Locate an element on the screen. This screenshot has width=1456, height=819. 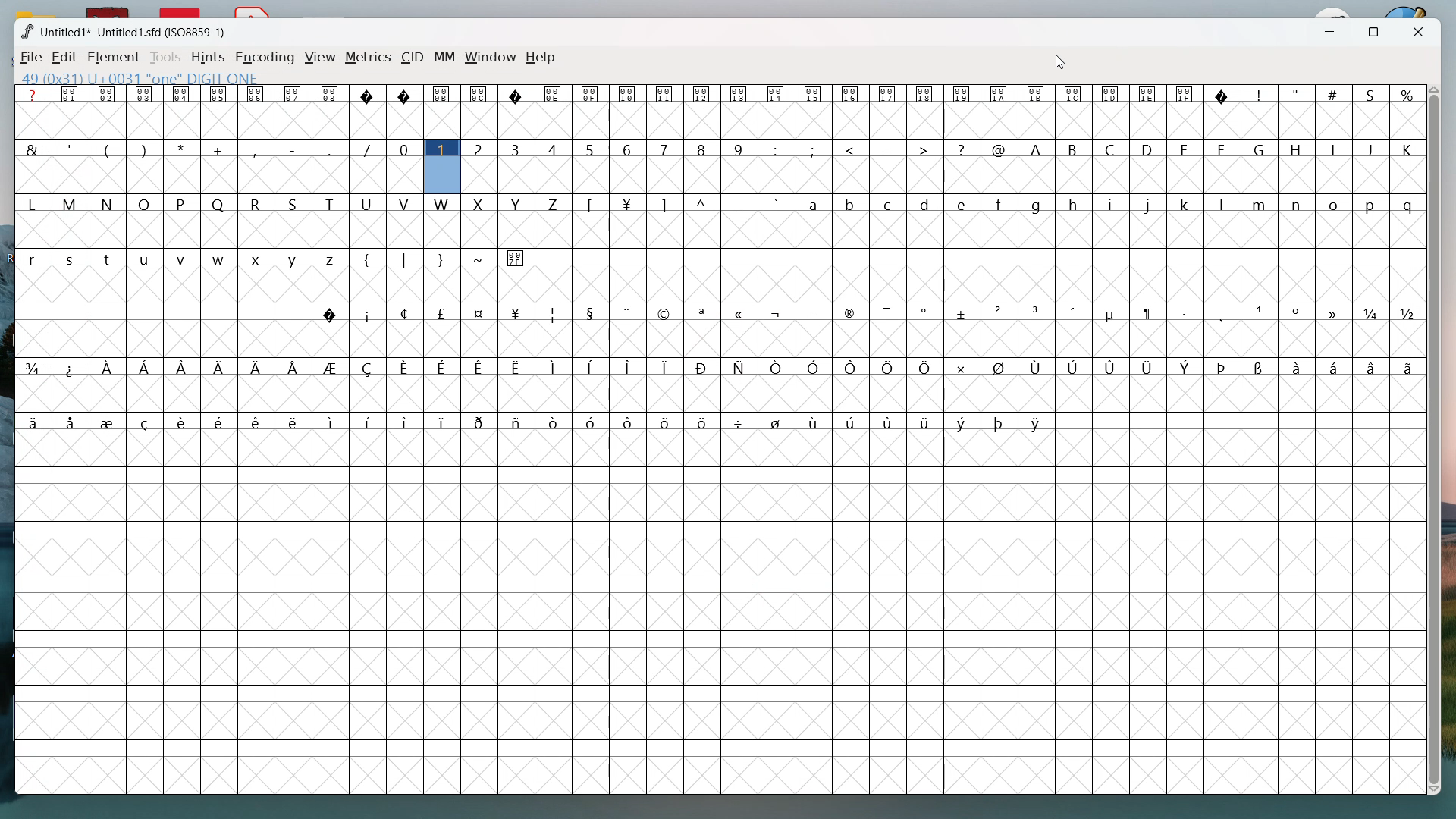
close is located at coordinates (1415, 33).